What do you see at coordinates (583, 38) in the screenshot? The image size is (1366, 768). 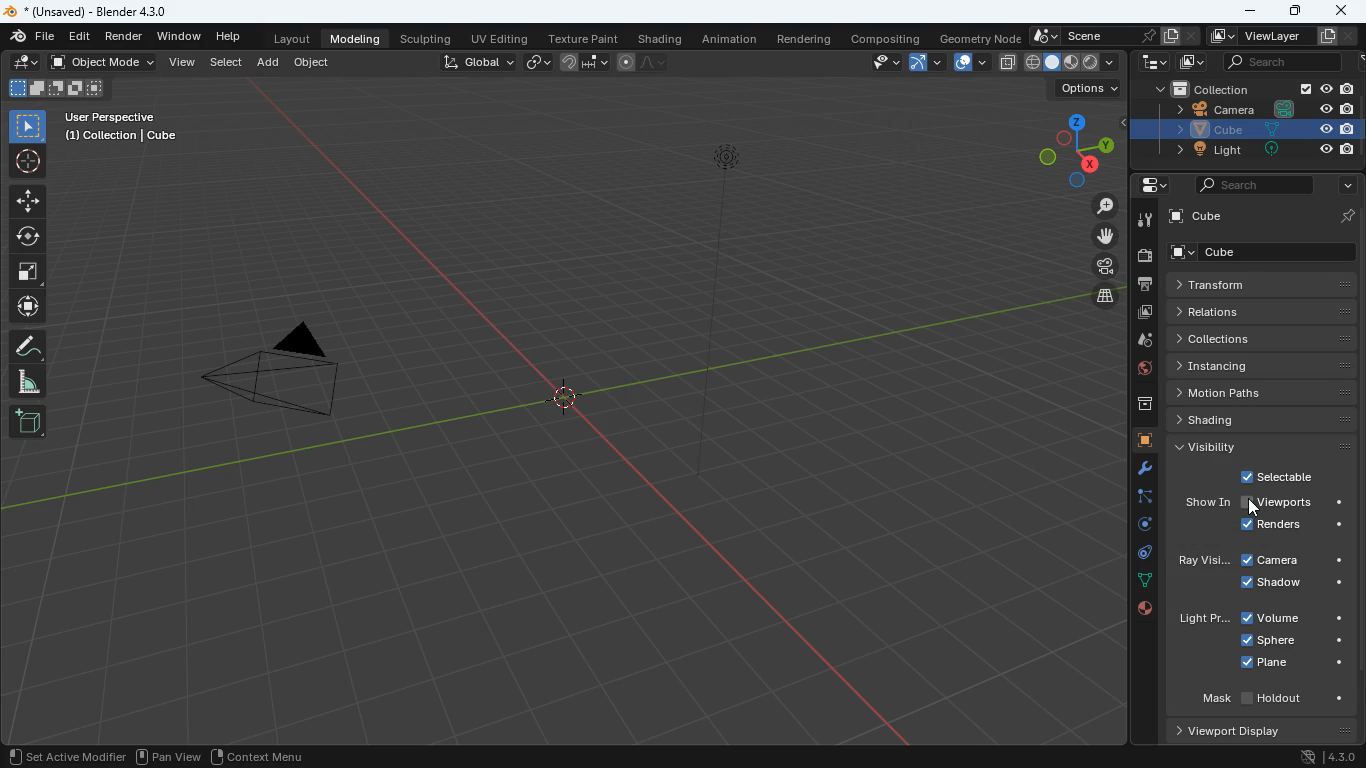 I see `texture paint` at bounding box center [583, 38].